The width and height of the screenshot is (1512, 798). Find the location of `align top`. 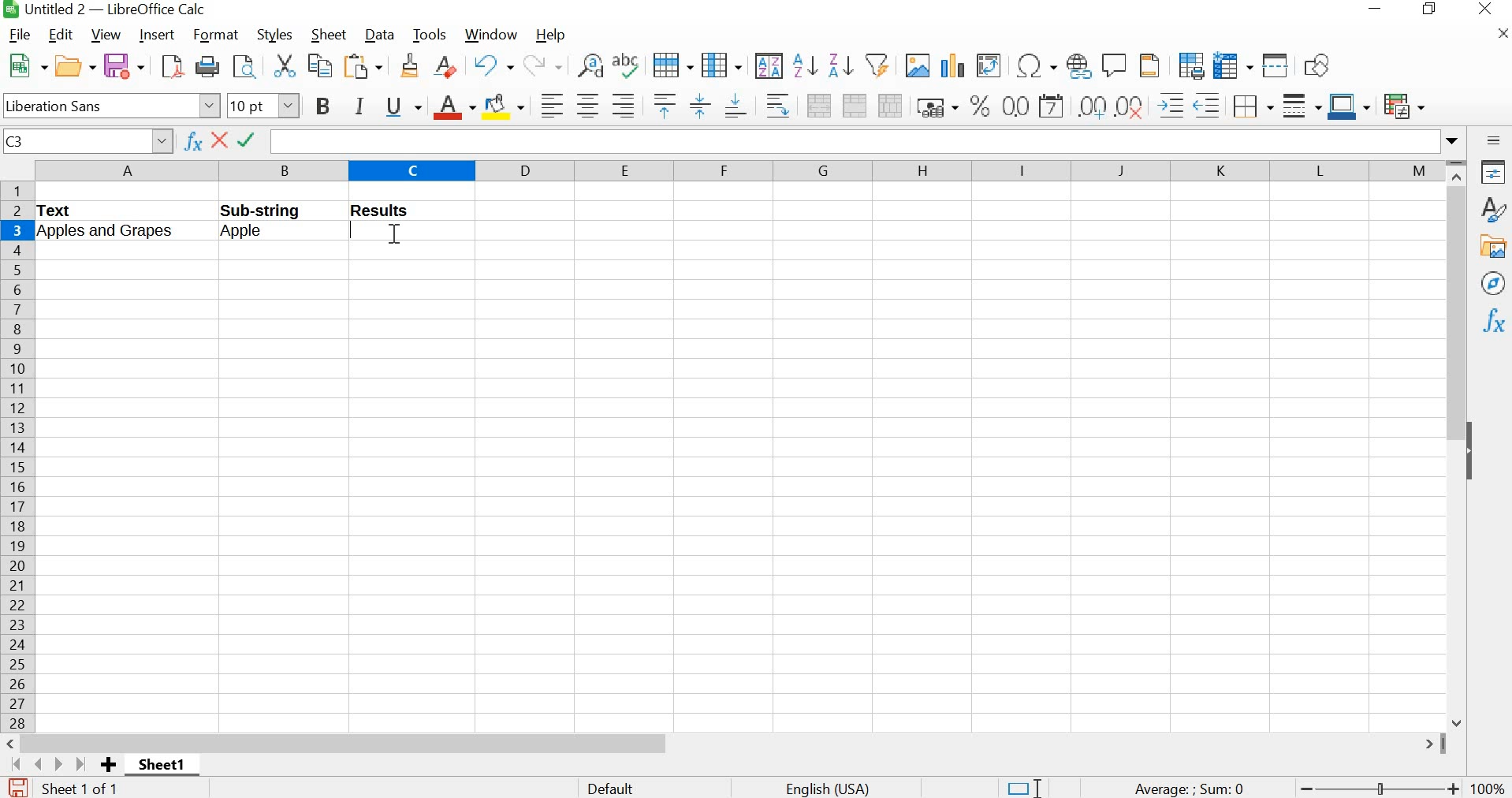

align top is located at coordinates (663, 106).